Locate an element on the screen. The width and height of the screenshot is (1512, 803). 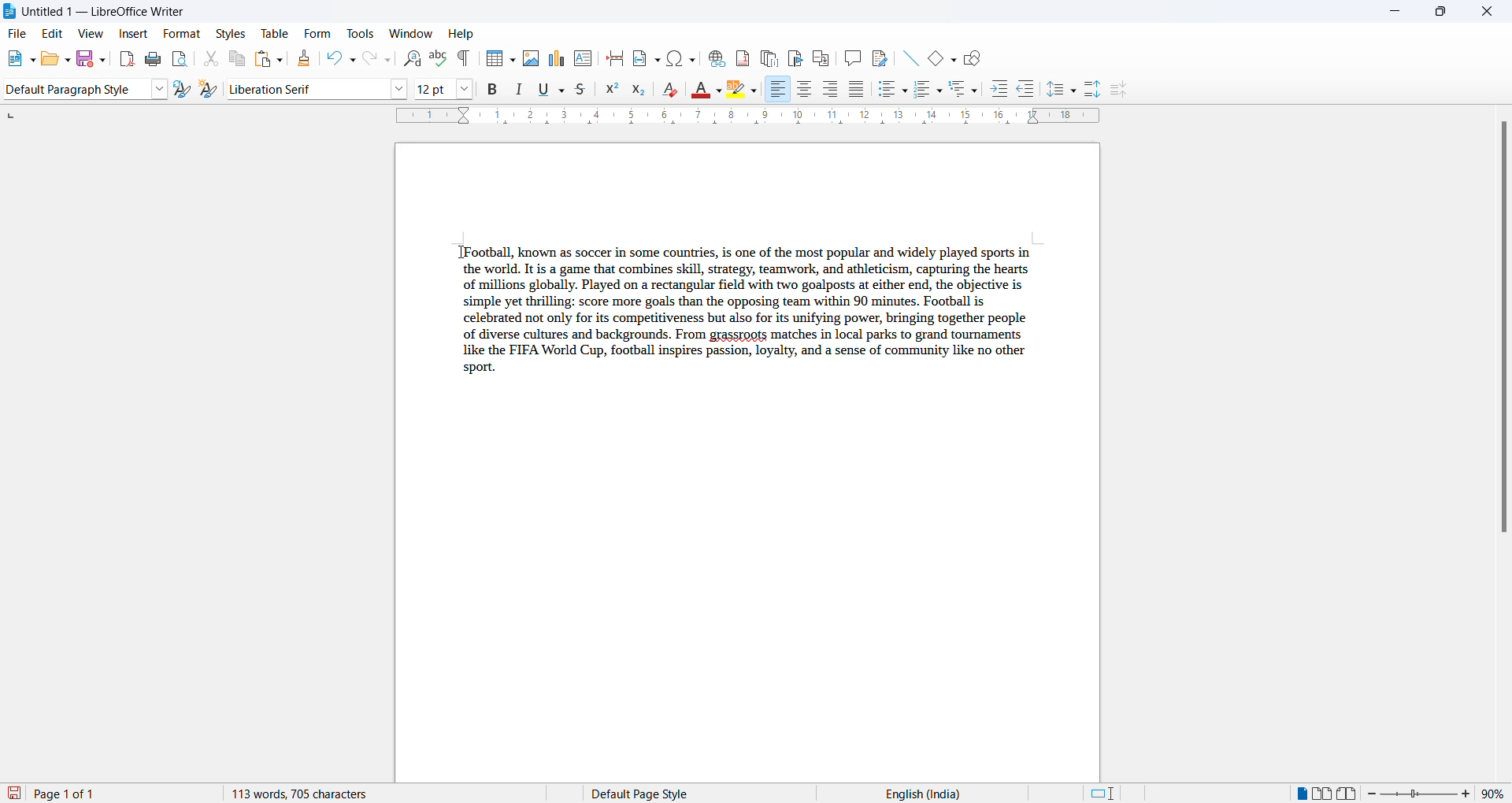
insert bookmark is located at coordinates (797, 58).